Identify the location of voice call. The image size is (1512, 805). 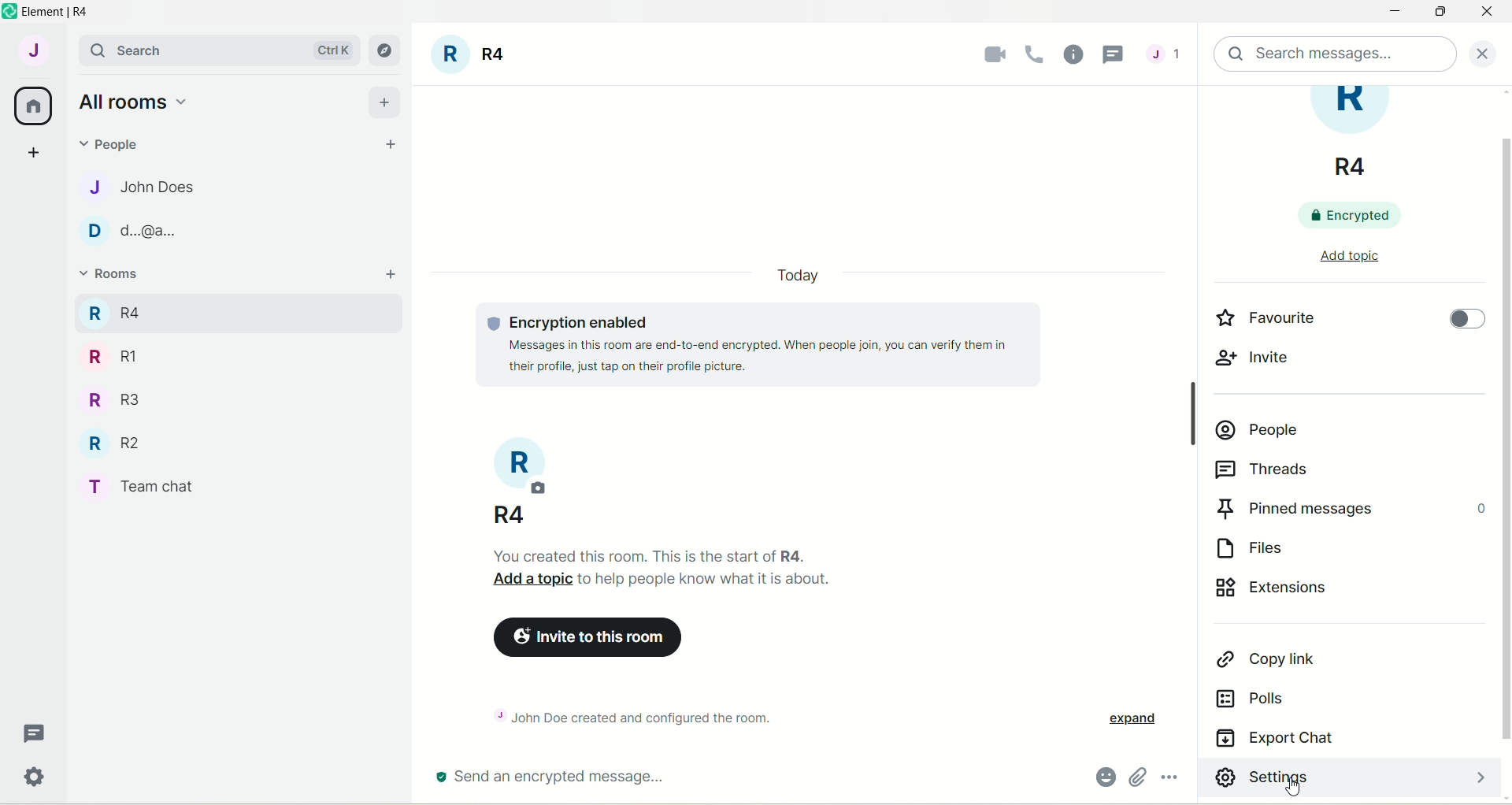
(1038, 54).